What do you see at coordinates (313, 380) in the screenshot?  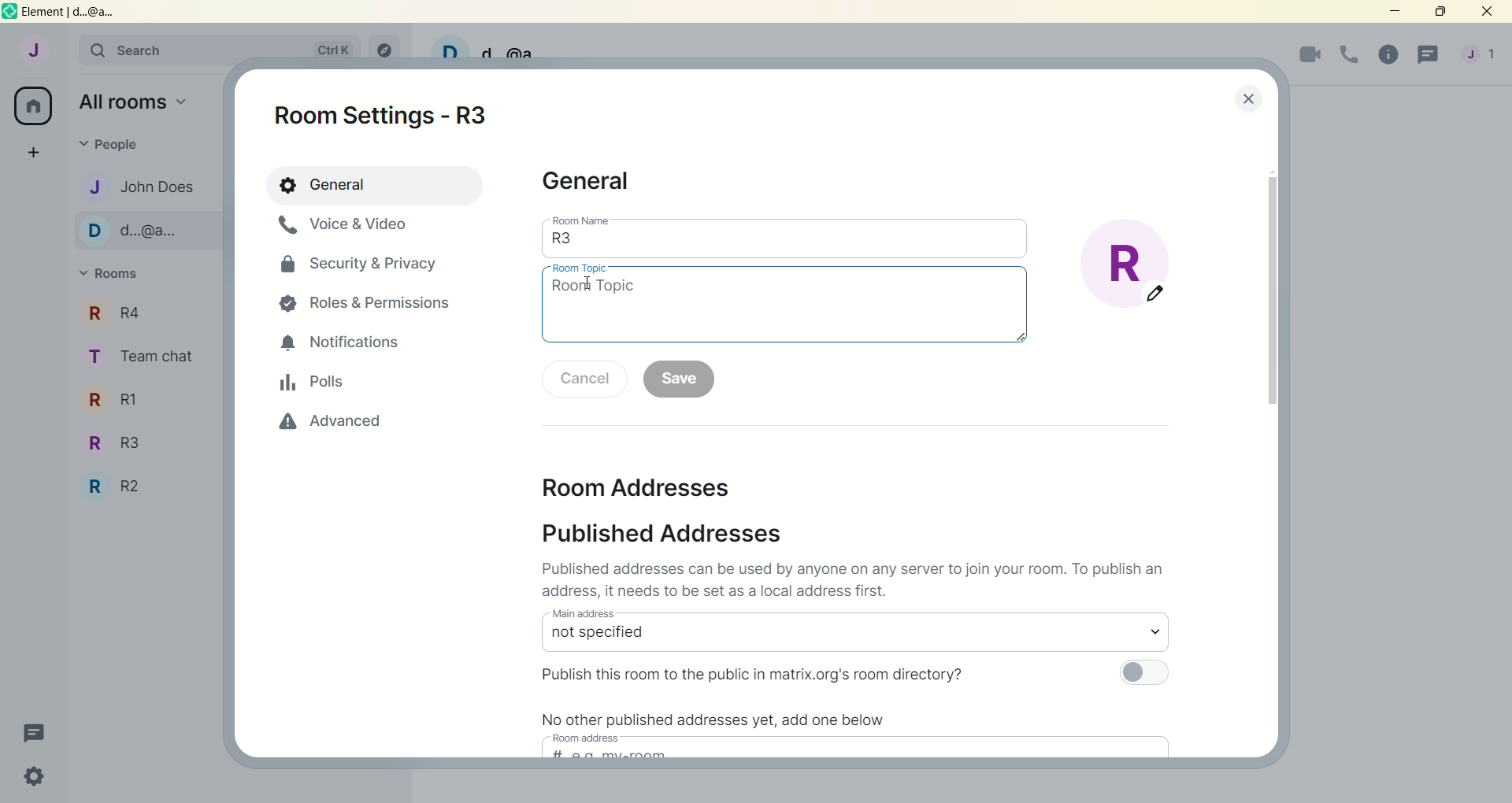 I see `polls` at bounding box center [313, 380].